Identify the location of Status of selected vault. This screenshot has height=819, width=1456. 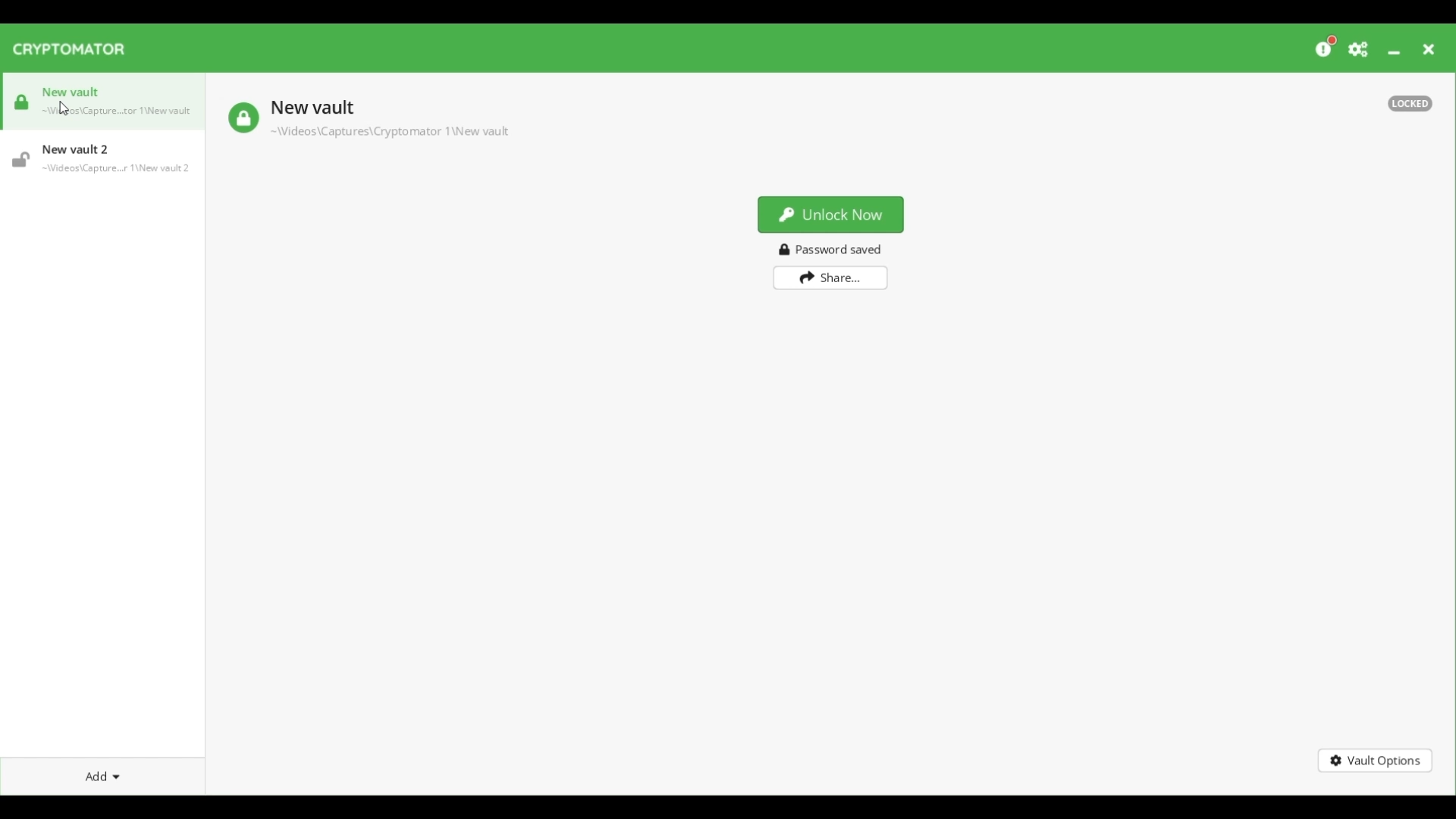
(243, 118).